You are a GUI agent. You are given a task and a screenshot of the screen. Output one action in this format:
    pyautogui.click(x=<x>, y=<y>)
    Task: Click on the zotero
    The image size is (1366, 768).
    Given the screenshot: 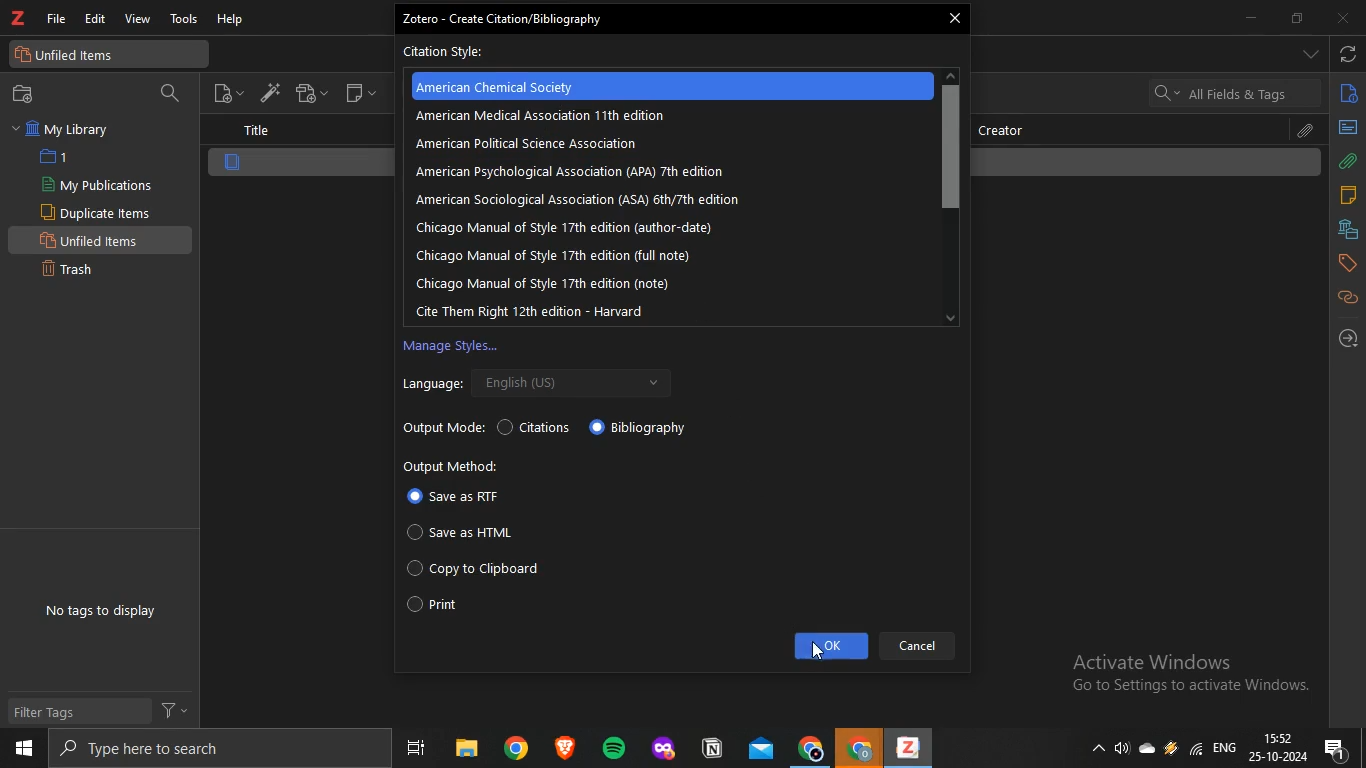 What is the action you would take?
    pyautogui.click(x=905, y=749)
    